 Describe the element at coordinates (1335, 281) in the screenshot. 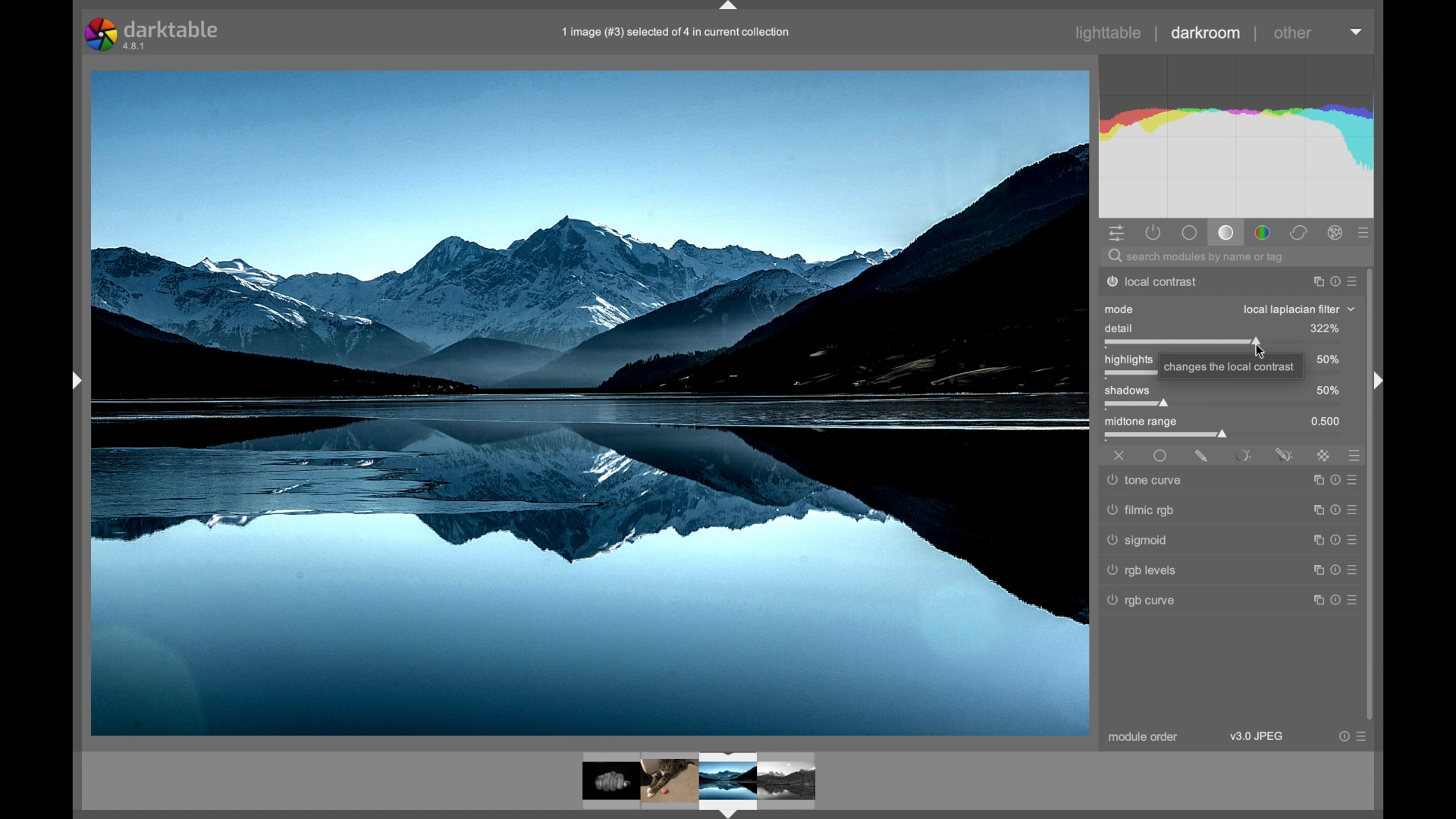

I see `more options` at that location.